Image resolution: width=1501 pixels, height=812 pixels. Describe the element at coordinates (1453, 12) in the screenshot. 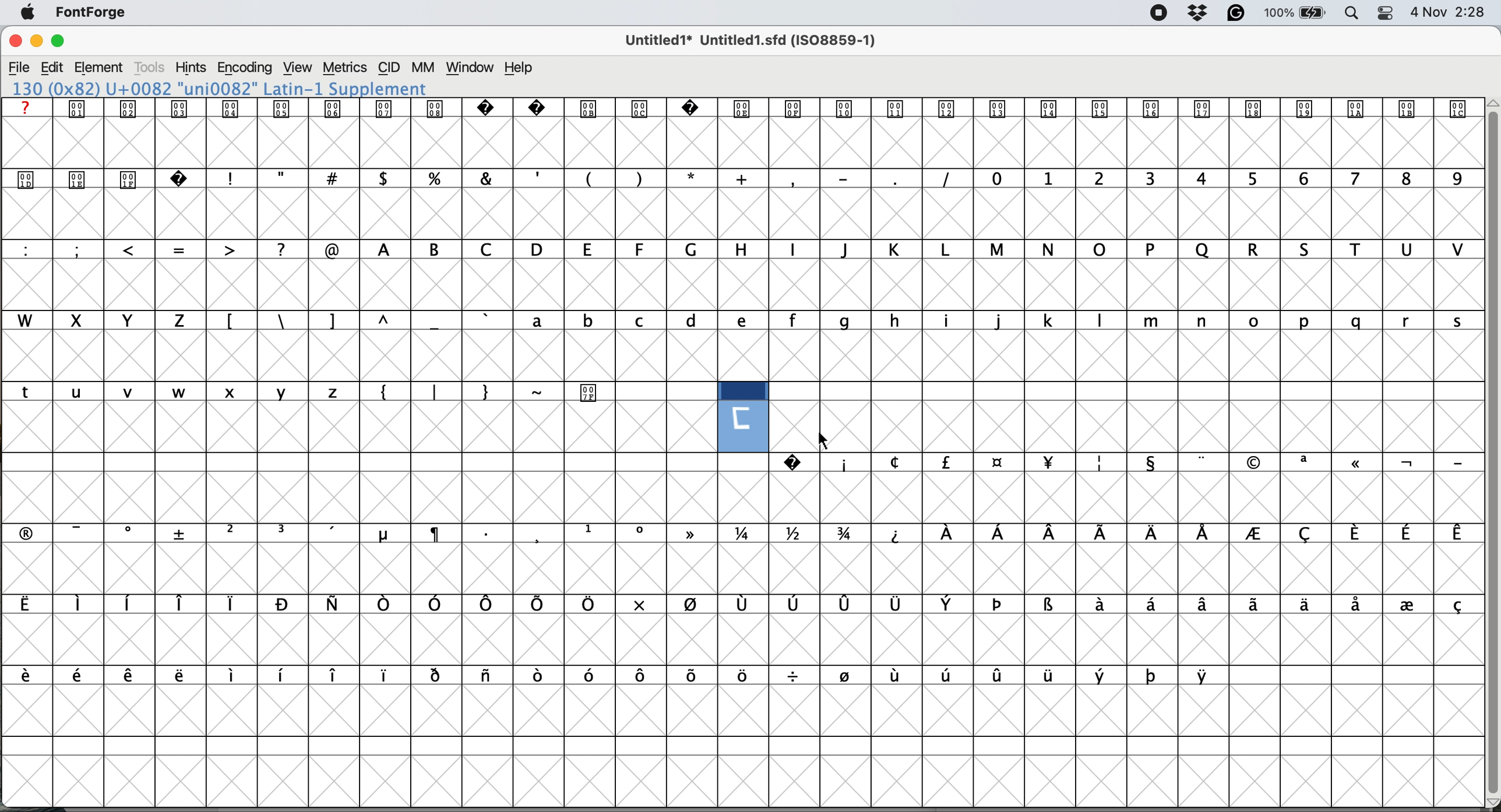

I see `Date and Time` at that location.